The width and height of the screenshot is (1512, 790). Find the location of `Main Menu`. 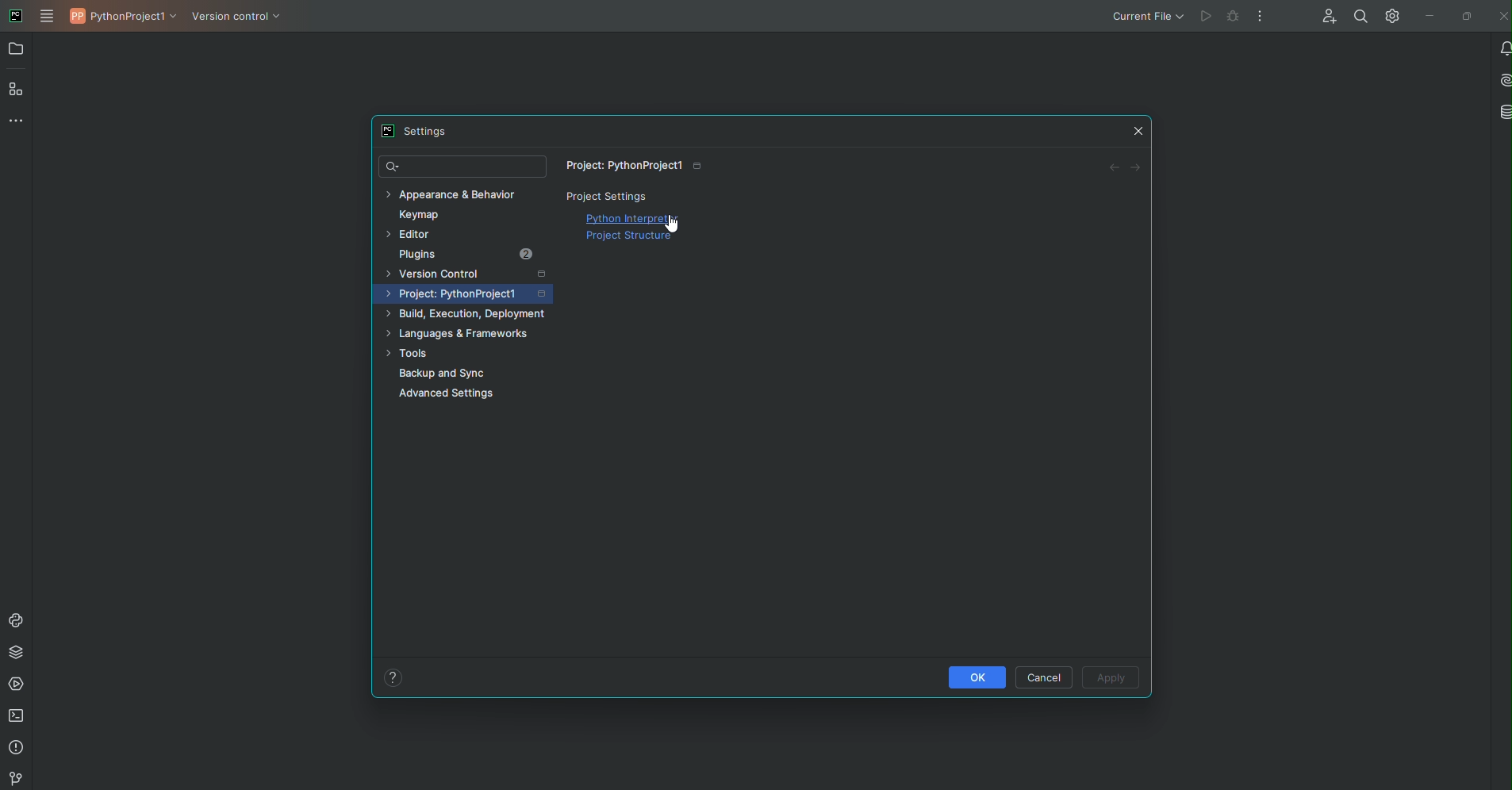

Main Menu is located at coordinates (49, 16).